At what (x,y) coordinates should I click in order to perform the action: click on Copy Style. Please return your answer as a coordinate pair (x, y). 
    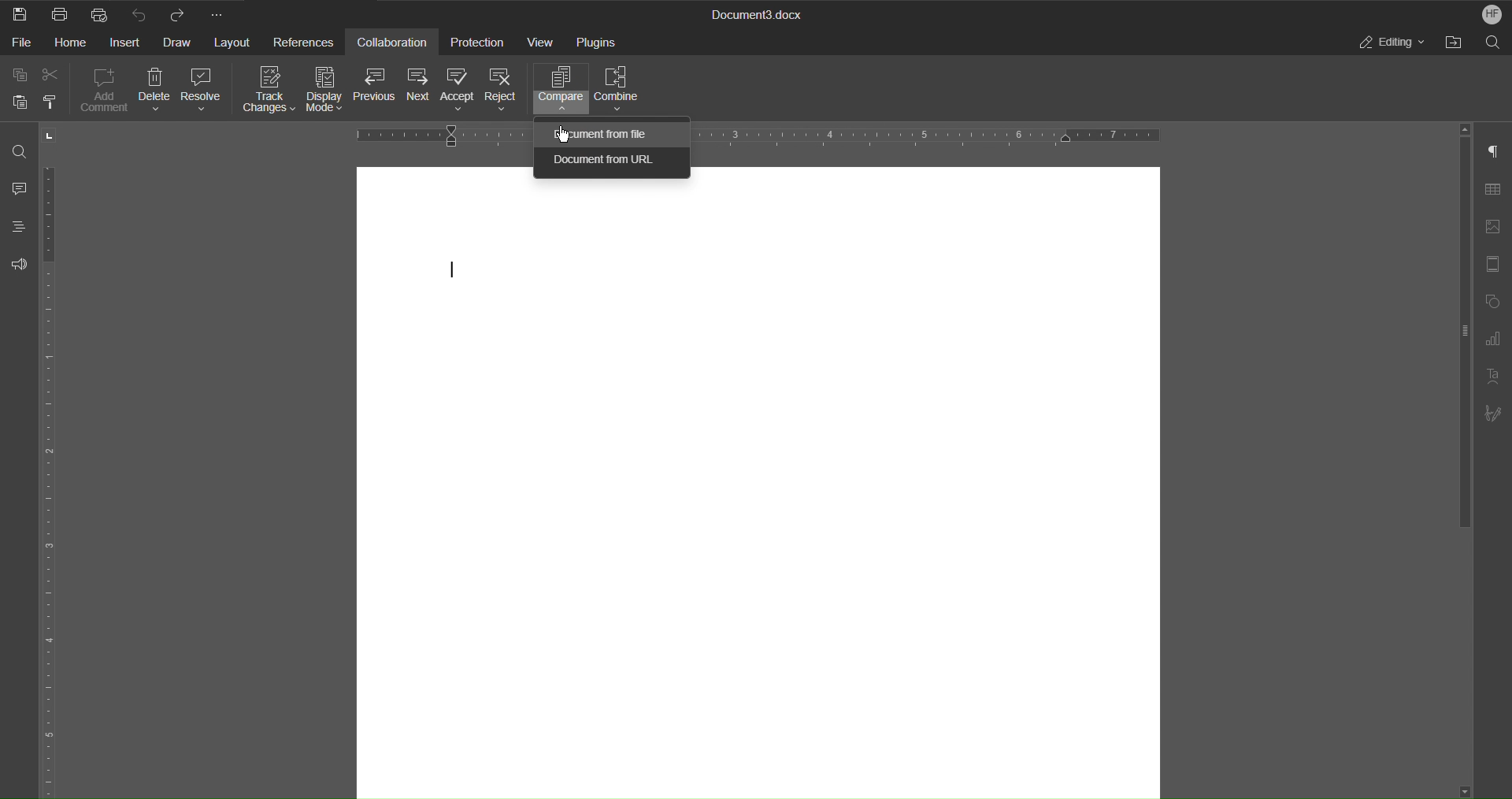
    Looking at the image, I should click on (56, 101).